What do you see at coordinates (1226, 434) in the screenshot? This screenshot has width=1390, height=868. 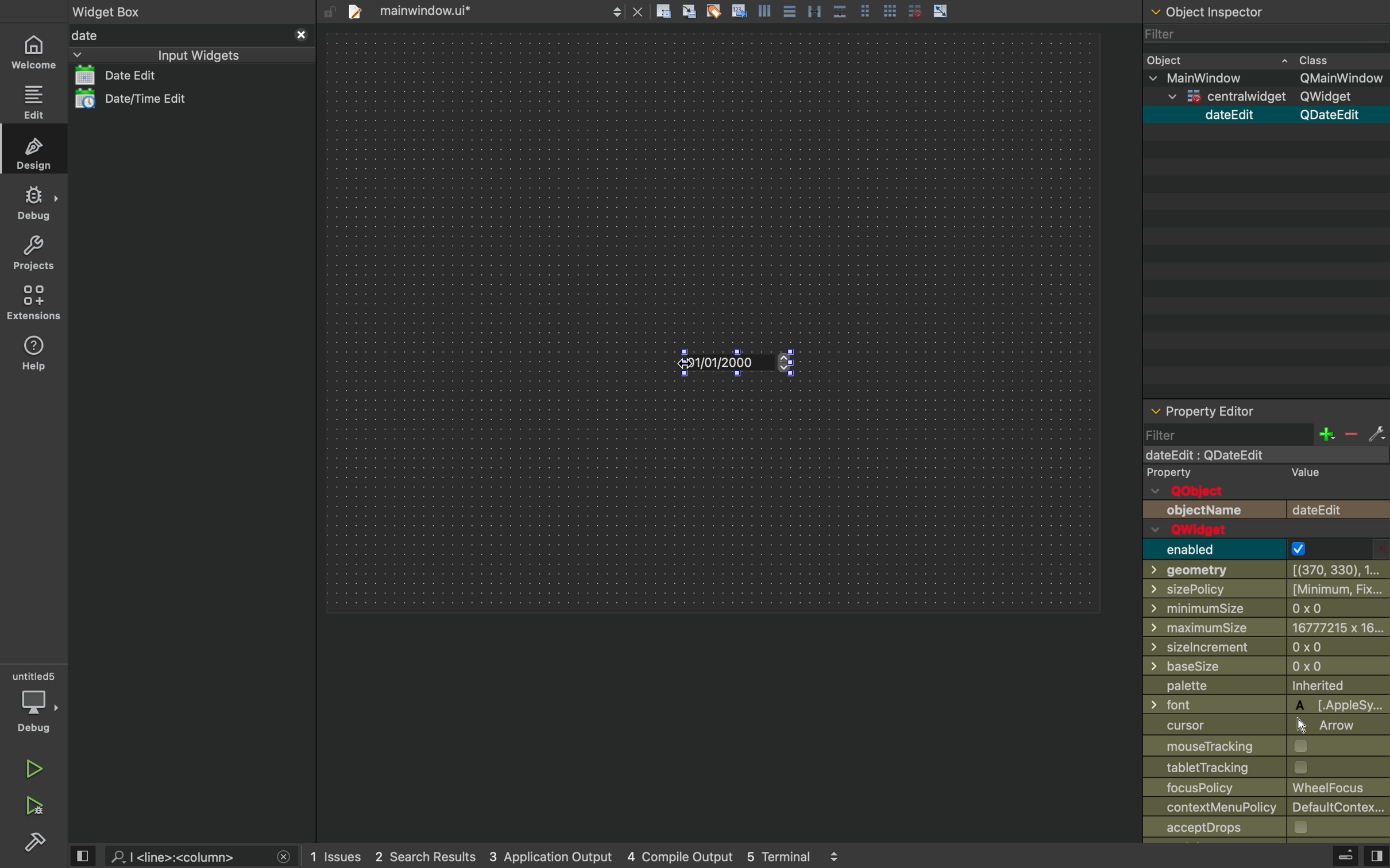 I see `filter` at bounding box center [1226, 434].